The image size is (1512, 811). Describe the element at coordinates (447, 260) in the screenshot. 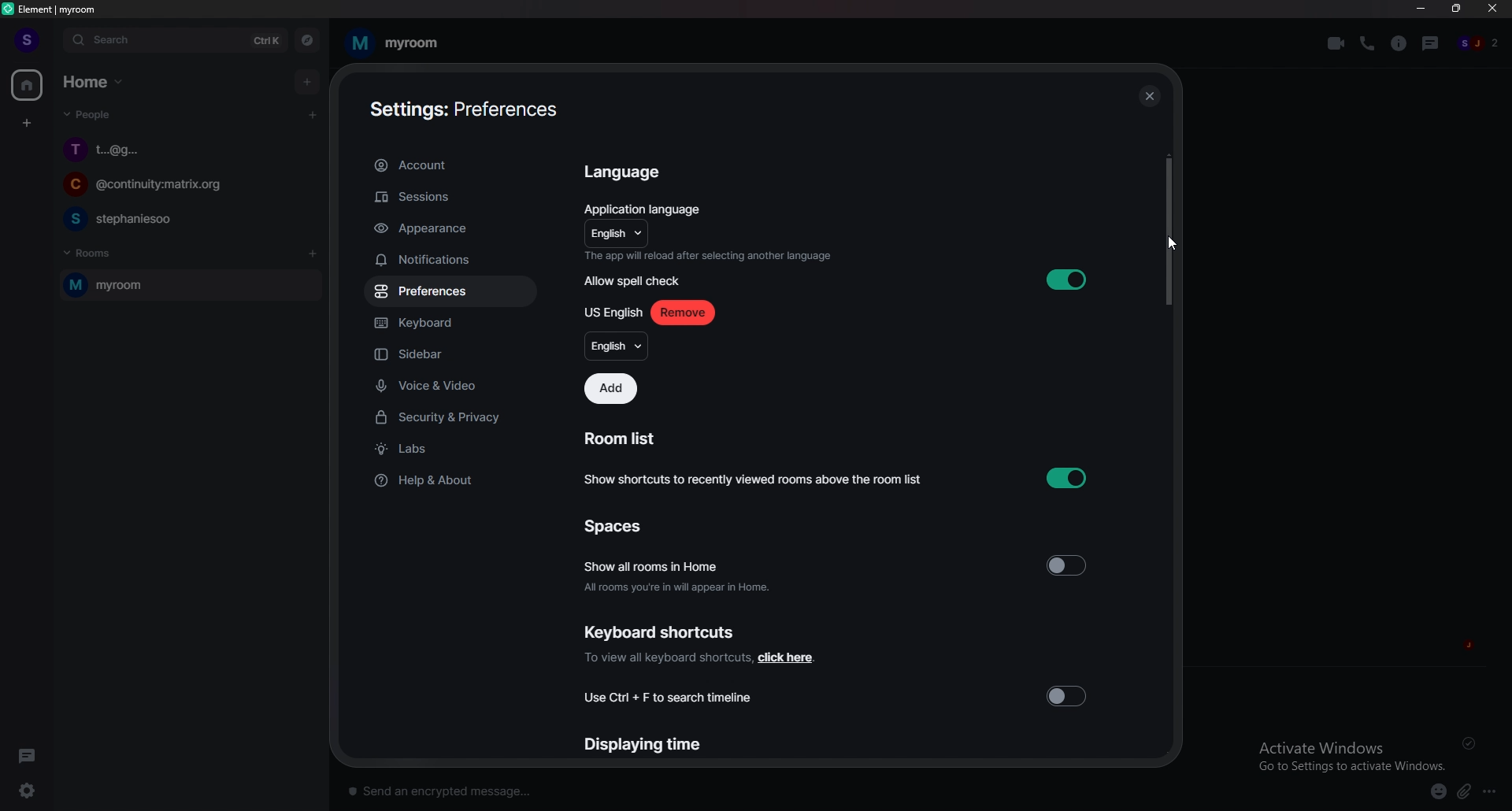

I see `notifications` at that location.